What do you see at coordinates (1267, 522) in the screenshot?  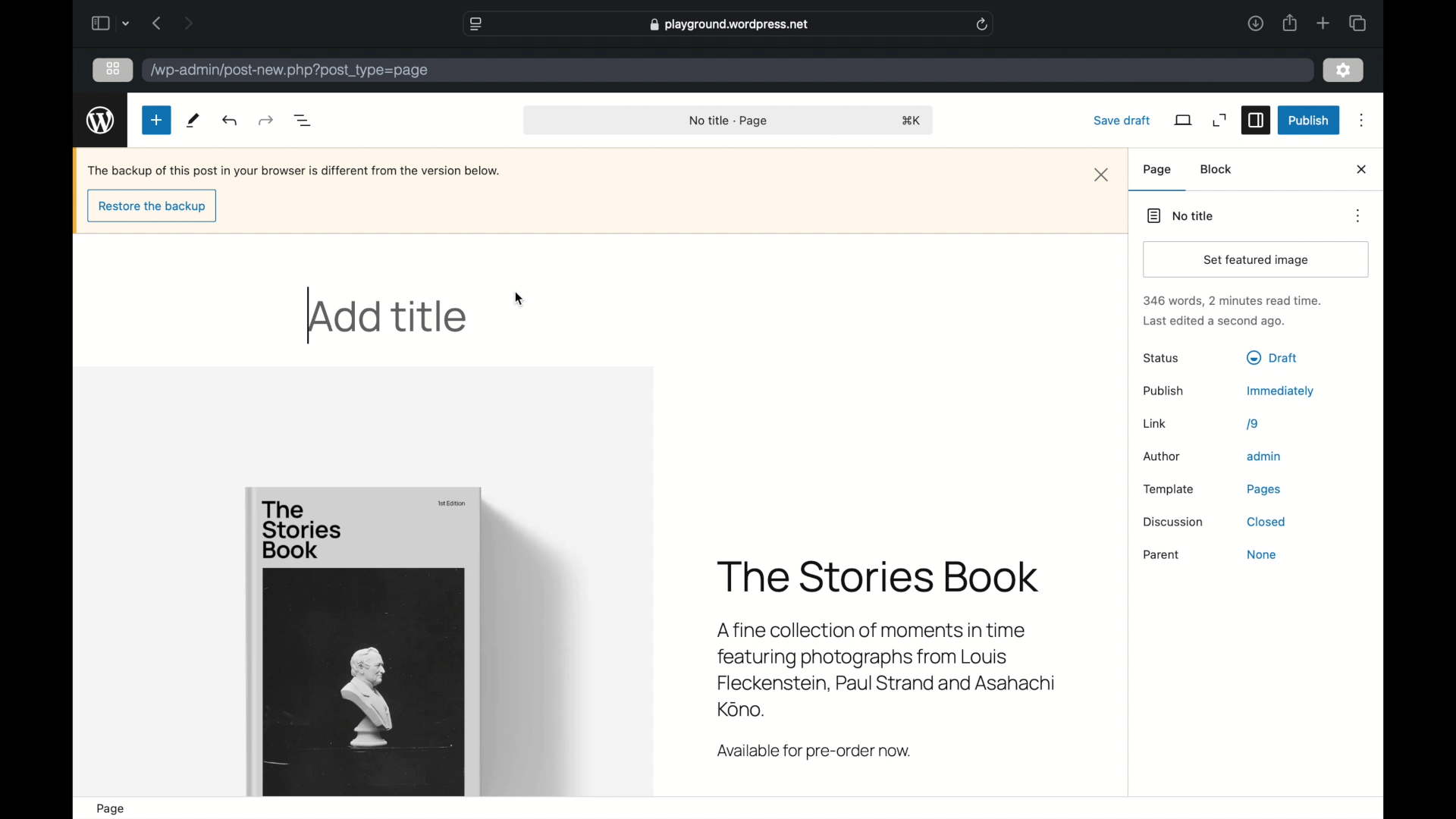 I see `closed` at bounding box center [1267, 522].